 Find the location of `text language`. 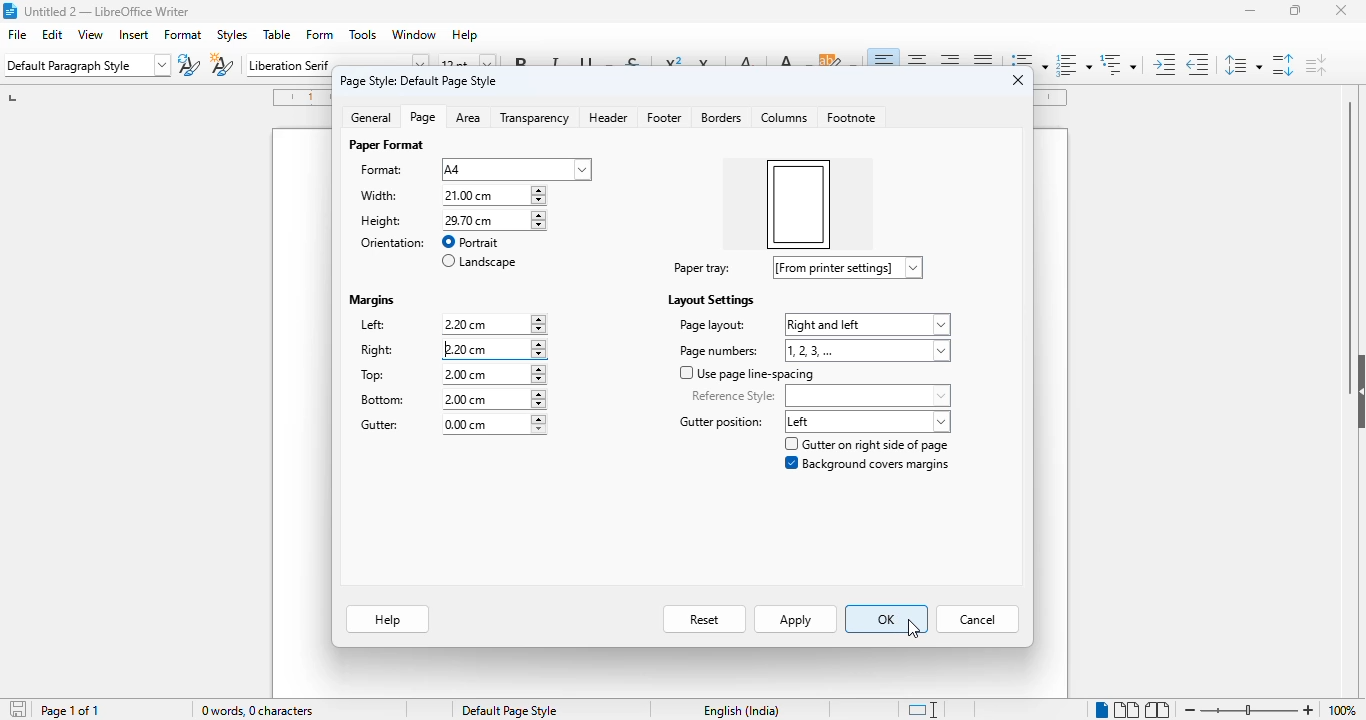

text language is located at coordinates (741, 710).